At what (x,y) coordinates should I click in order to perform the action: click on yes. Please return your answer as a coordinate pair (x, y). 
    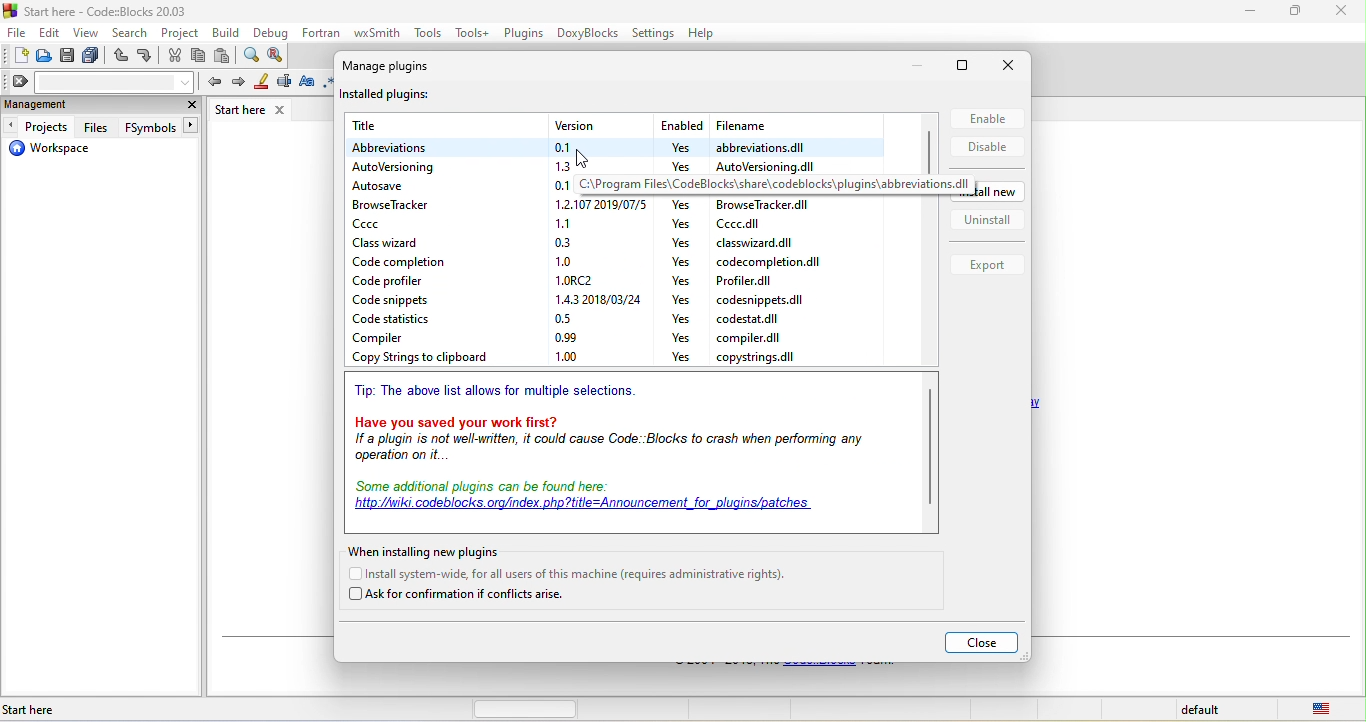
    Looking at the image, I should click on (682, 316).